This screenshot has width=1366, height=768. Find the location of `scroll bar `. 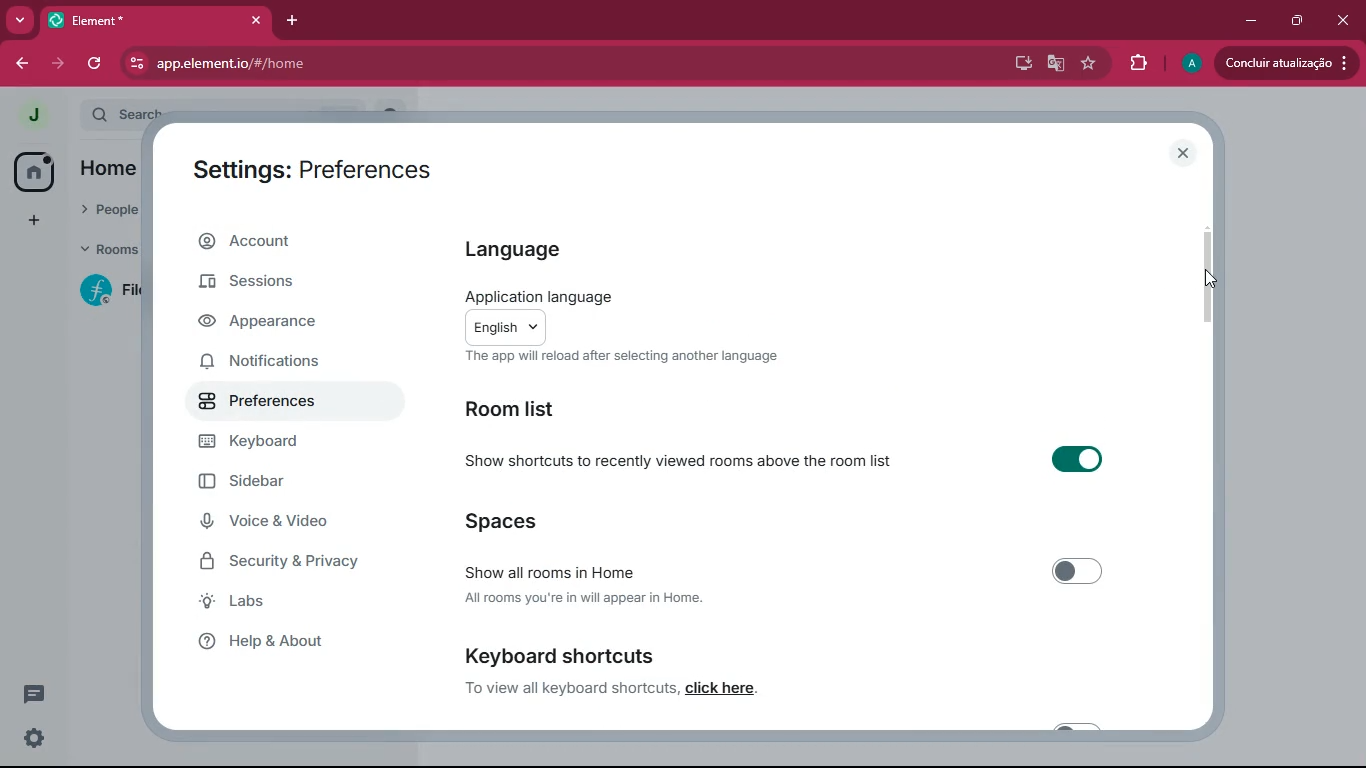

scroll bar  is located at coordinates (1216, 271).